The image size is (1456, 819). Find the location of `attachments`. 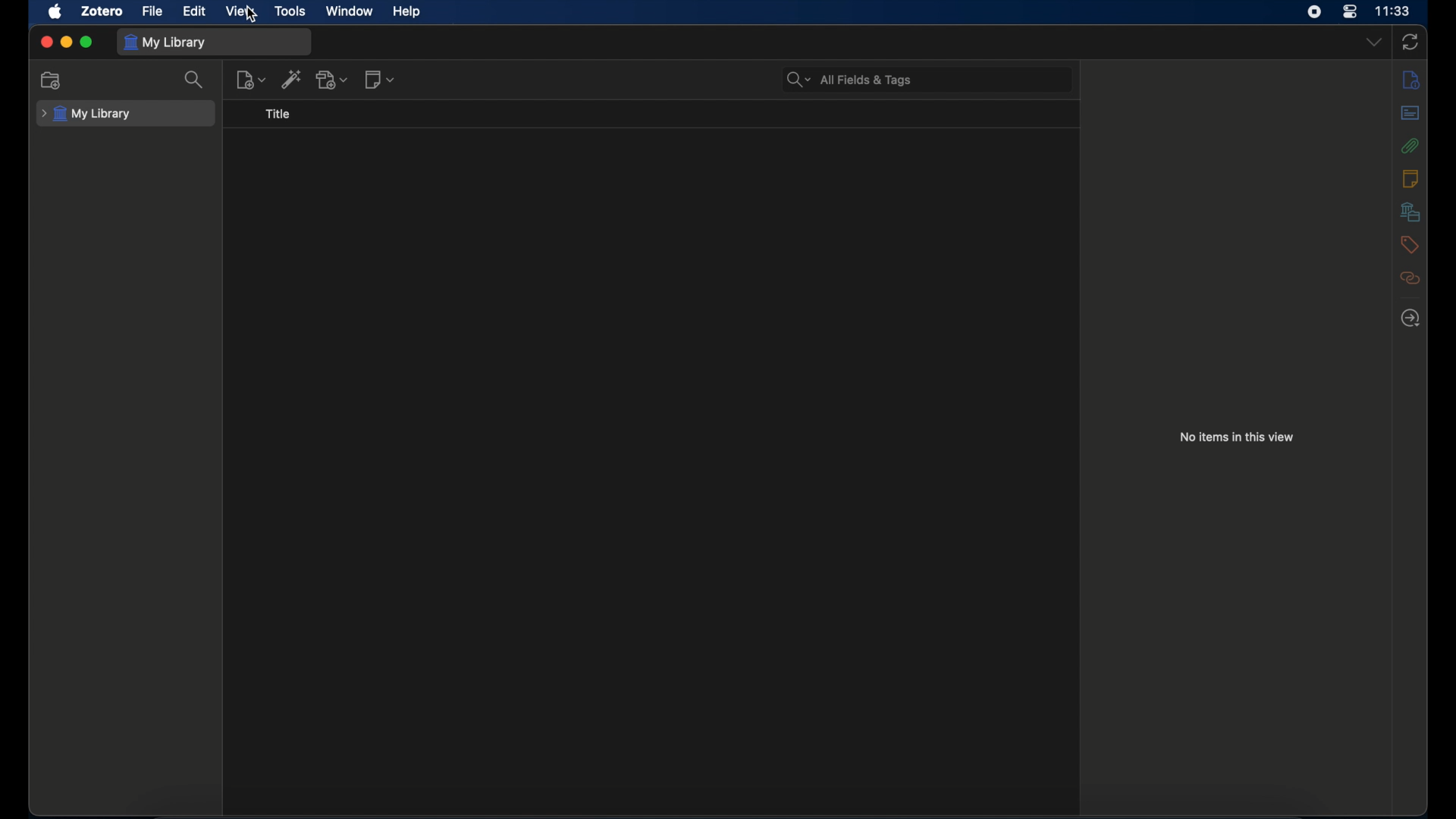

attachments is located at coordinates (1410, 146).